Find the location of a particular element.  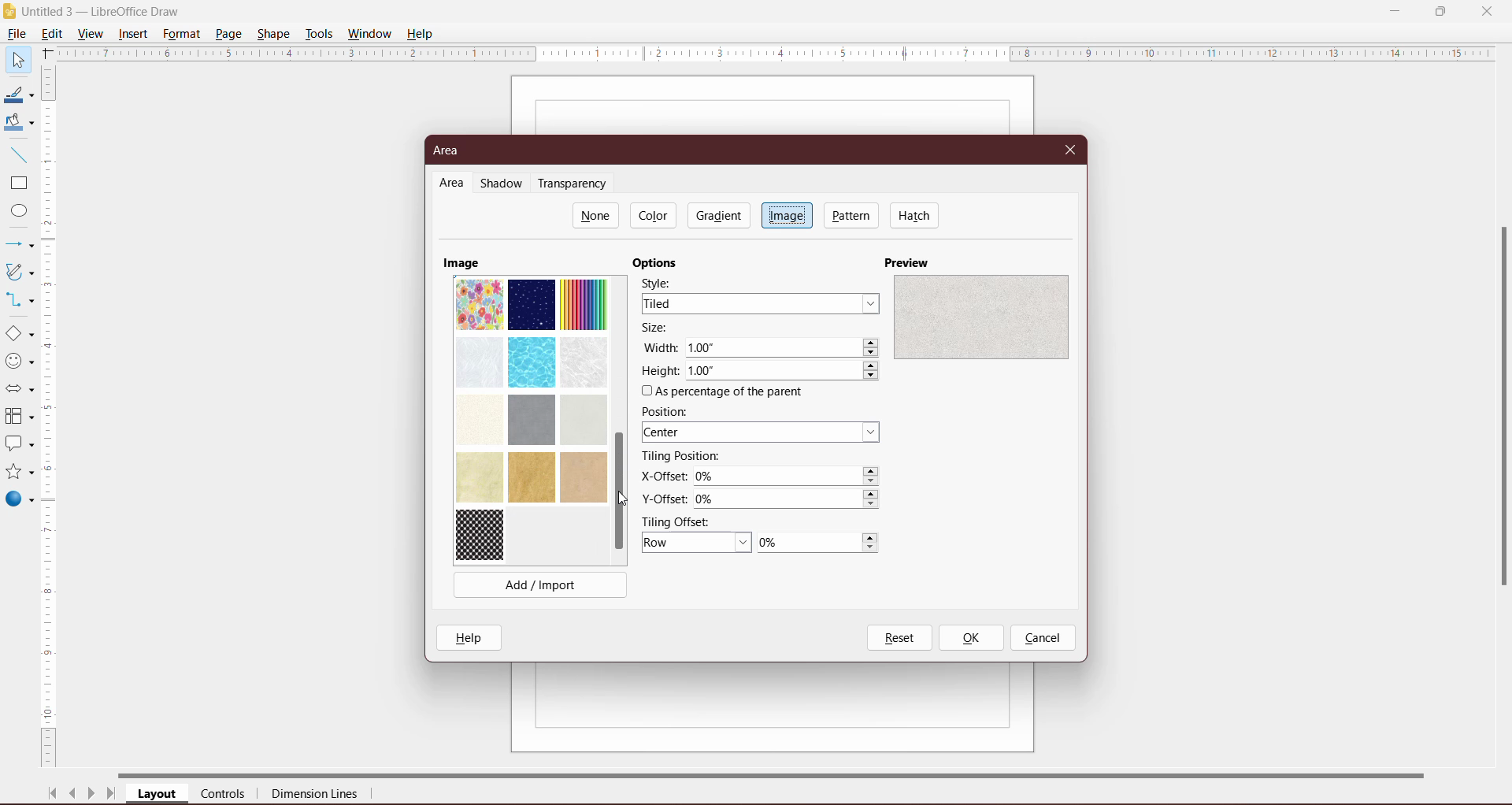

Style is located at coordinates (662, 282).